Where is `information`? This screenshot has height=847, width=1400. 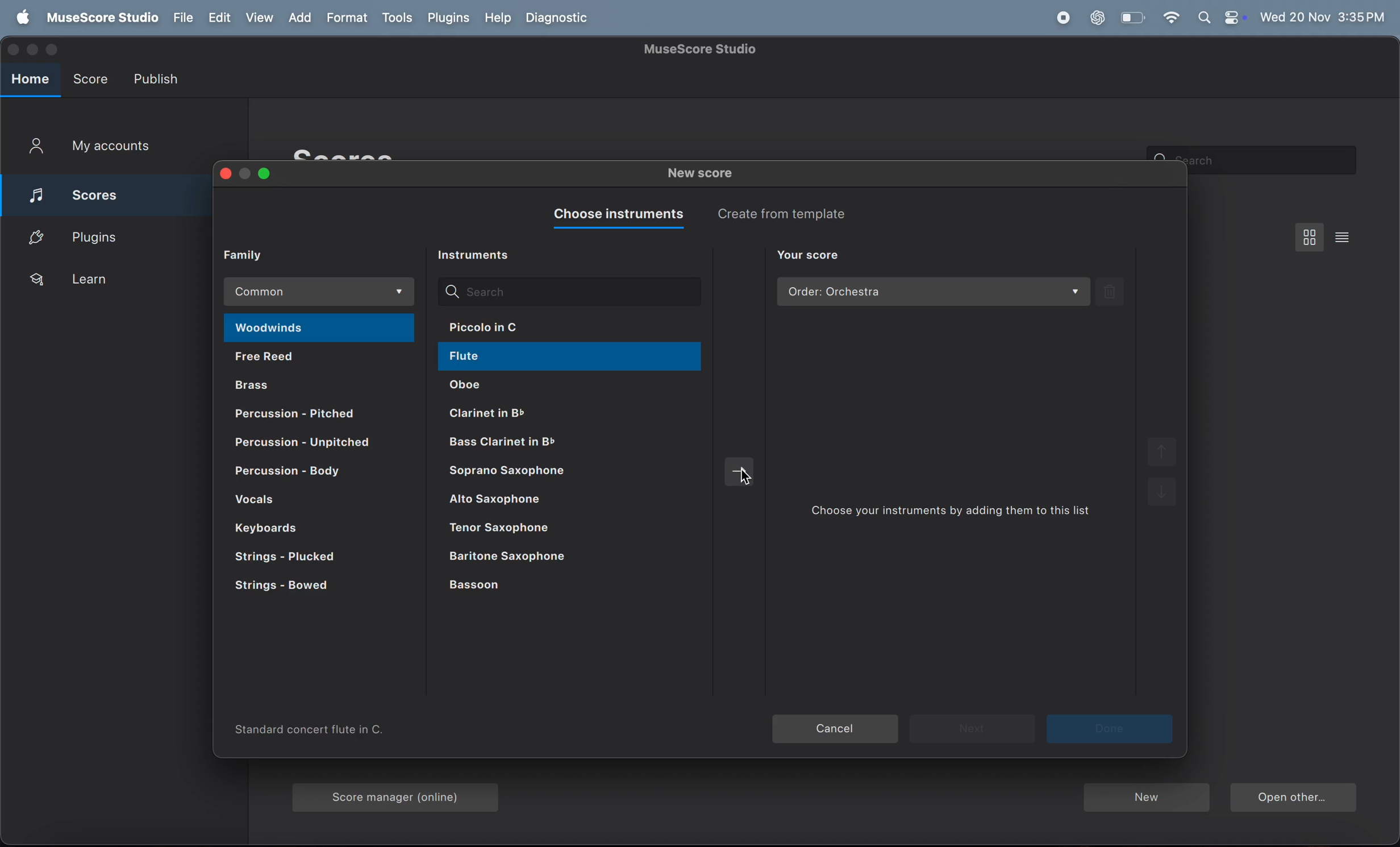 information is located at coordinates (314, 730).